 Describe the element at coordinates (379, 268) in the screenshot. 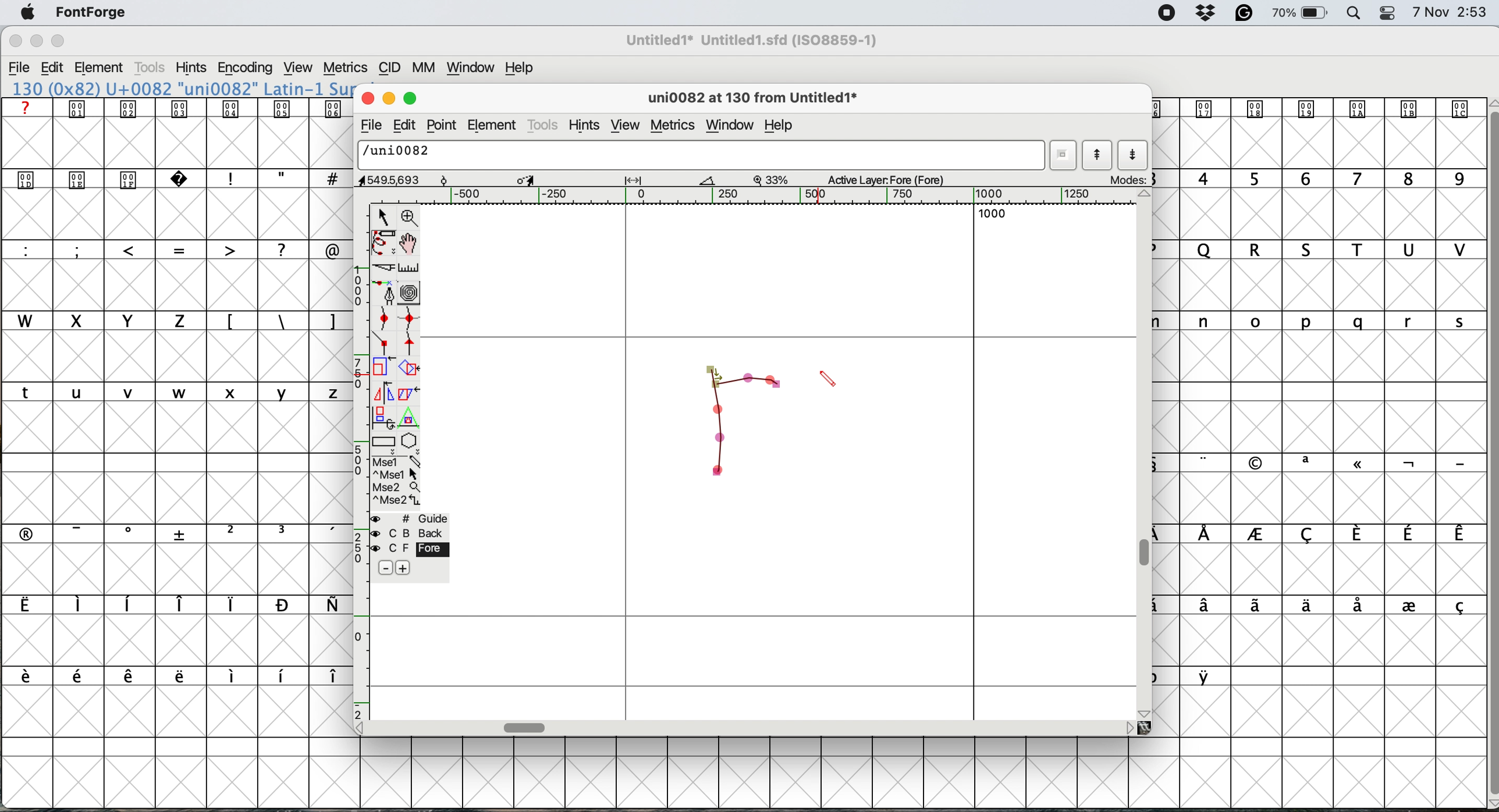

I see `cut splines in two` at that location.